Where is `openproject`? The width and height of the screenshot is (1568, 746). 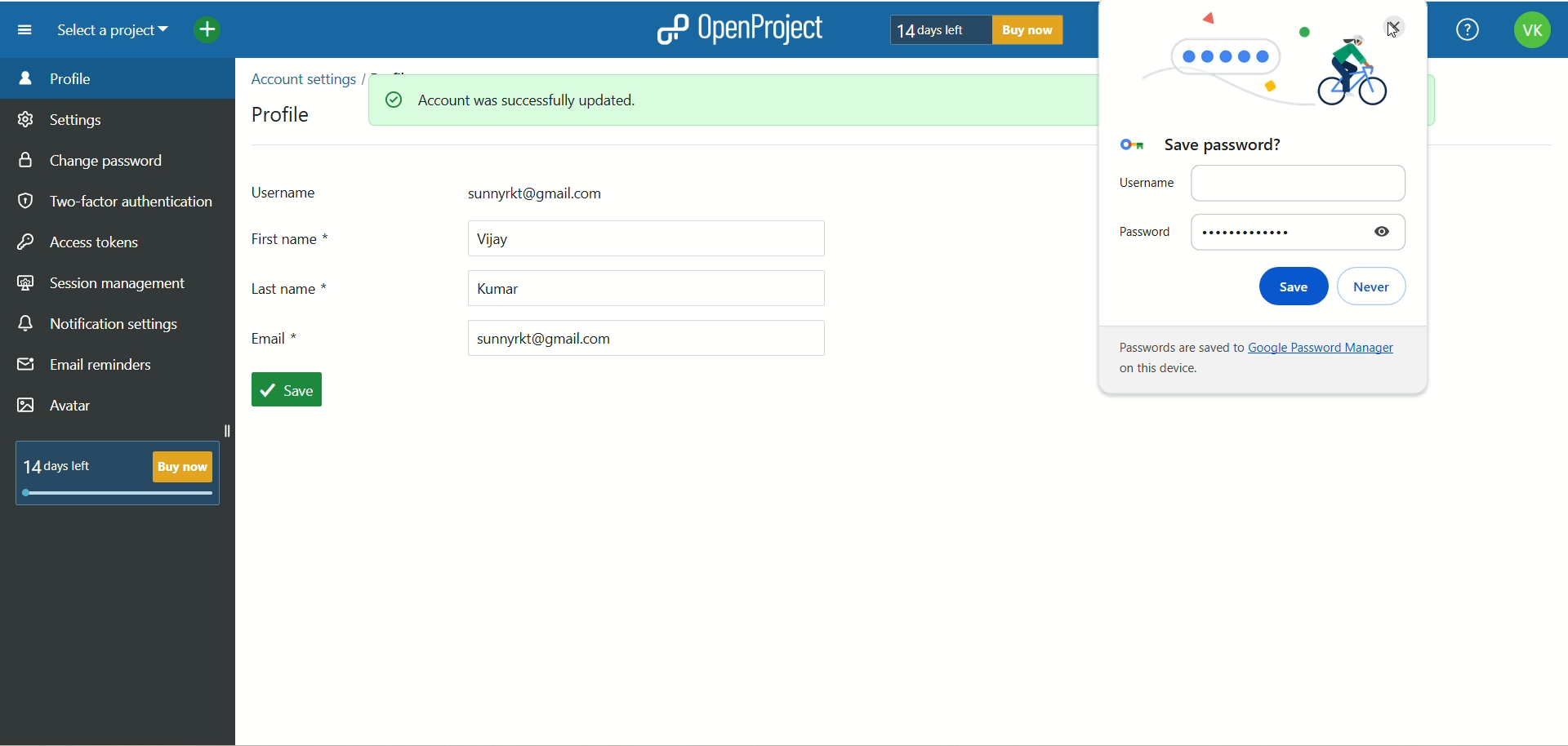
openproject is located at coordinates (770, 31).